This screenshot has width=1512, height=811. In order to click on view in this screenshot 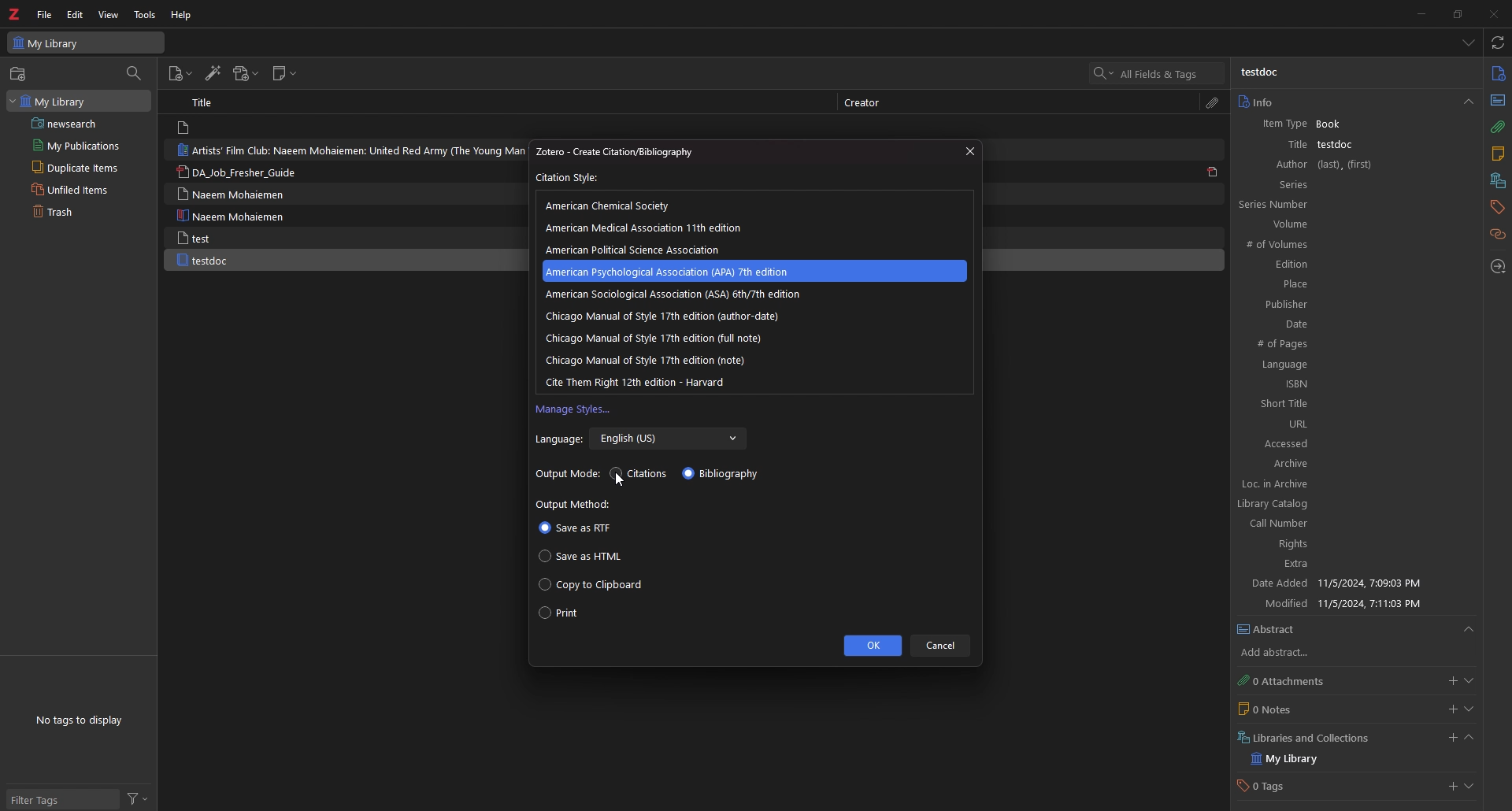, I will do `click(109, 15)`.